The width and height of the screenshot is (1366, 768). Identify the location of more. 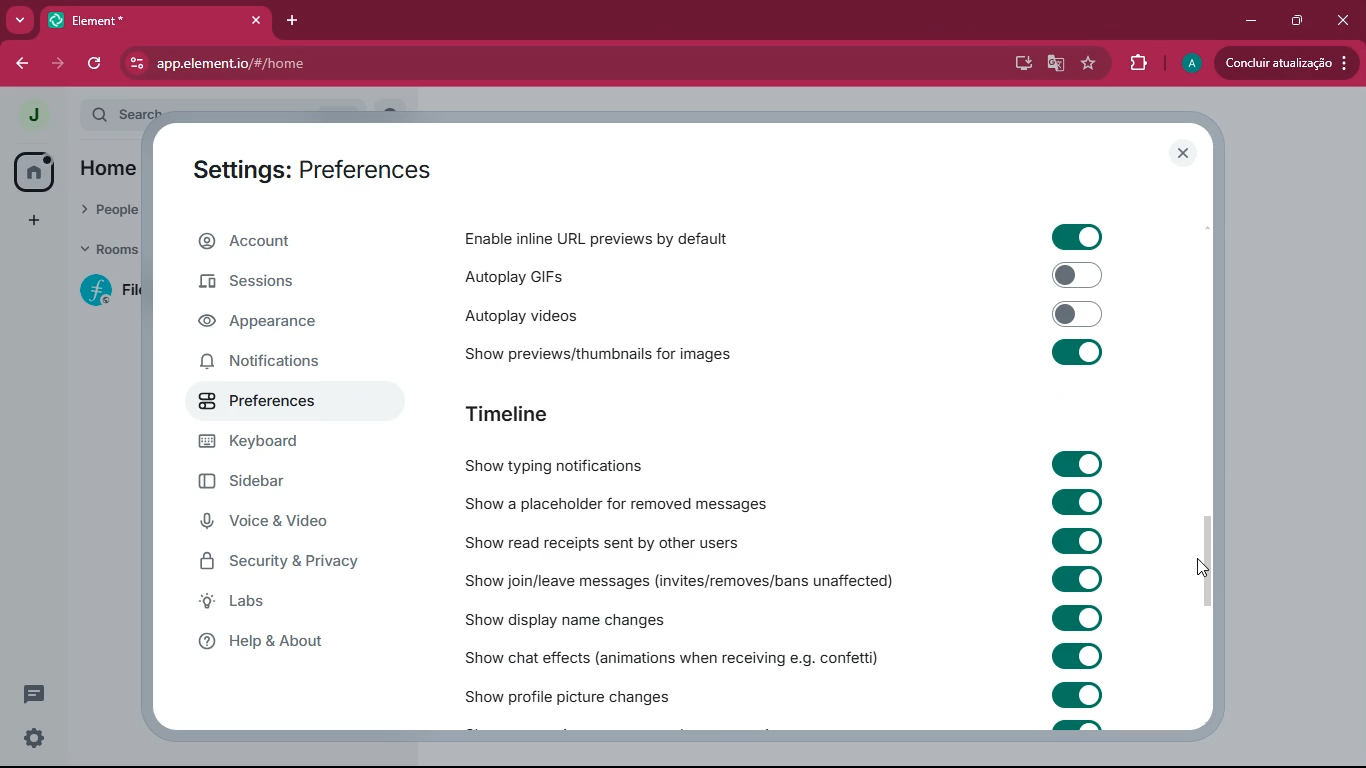
(32, 218).